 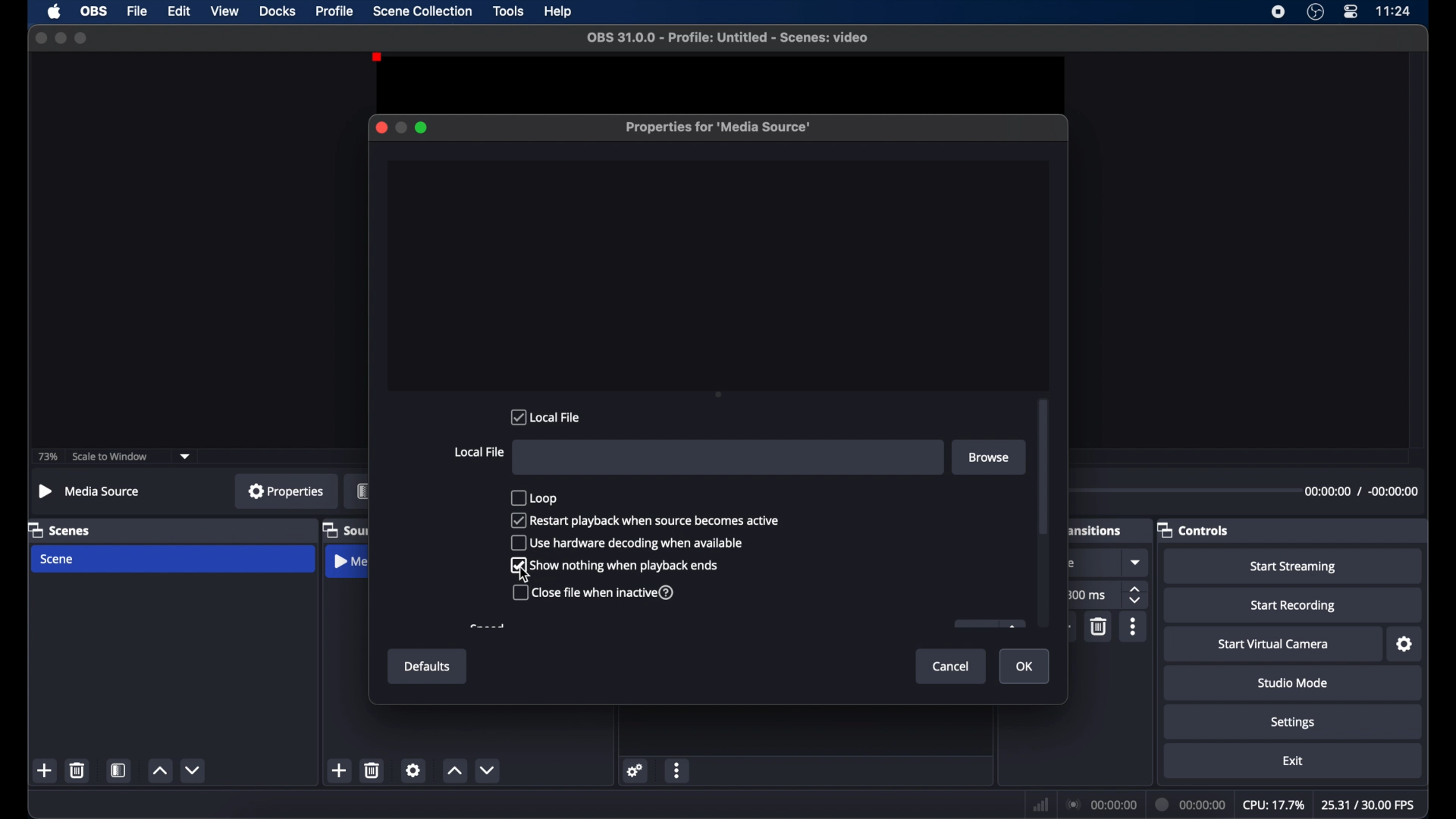 I want to click on exit, so click(x=1295, y=761).